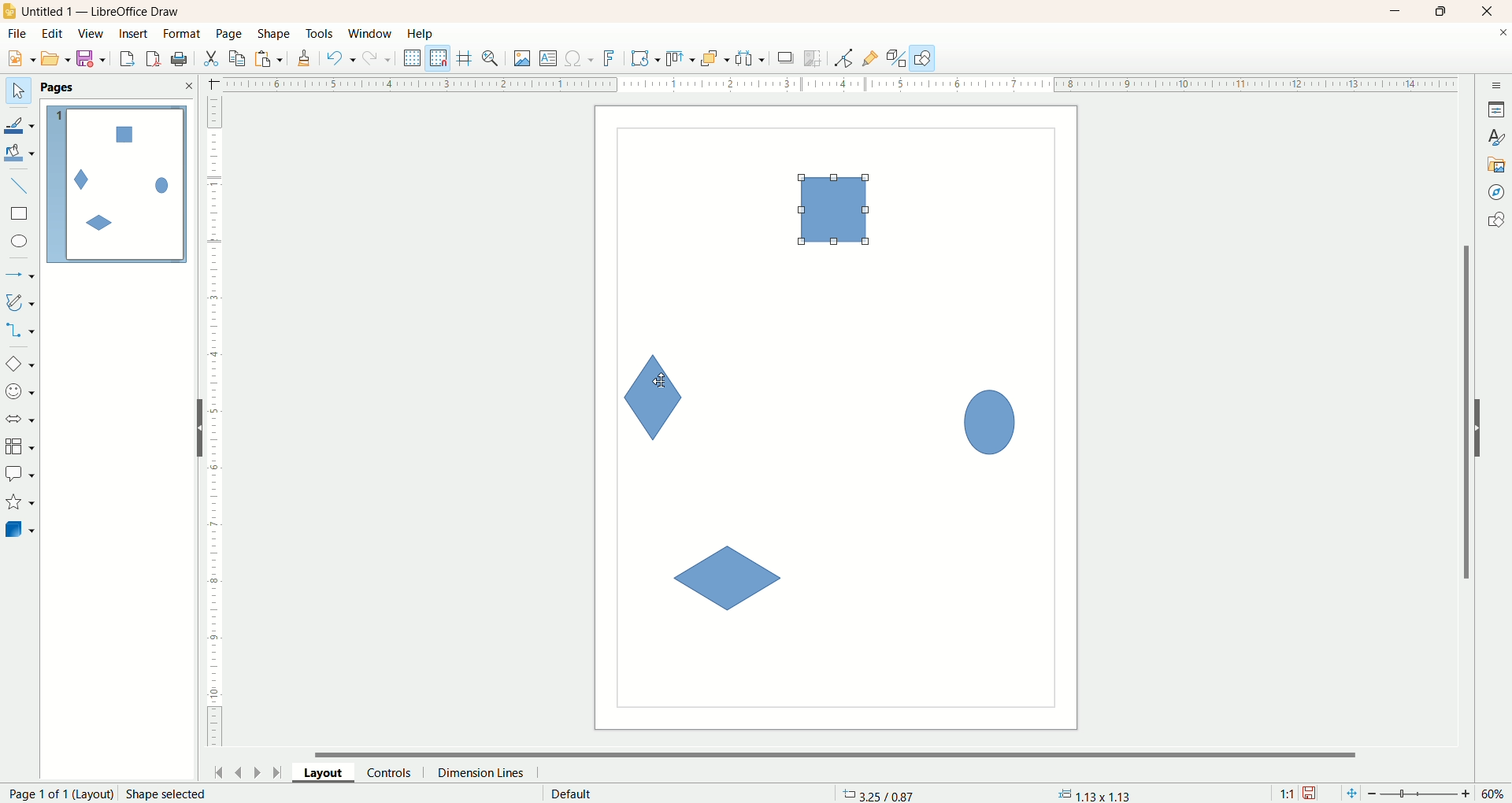 The height and width of the screenshot is (803, 1512). What do you see at coordinates (716, 57) in the screenshot?
I see `arrange` at bounding box center [716, 57].